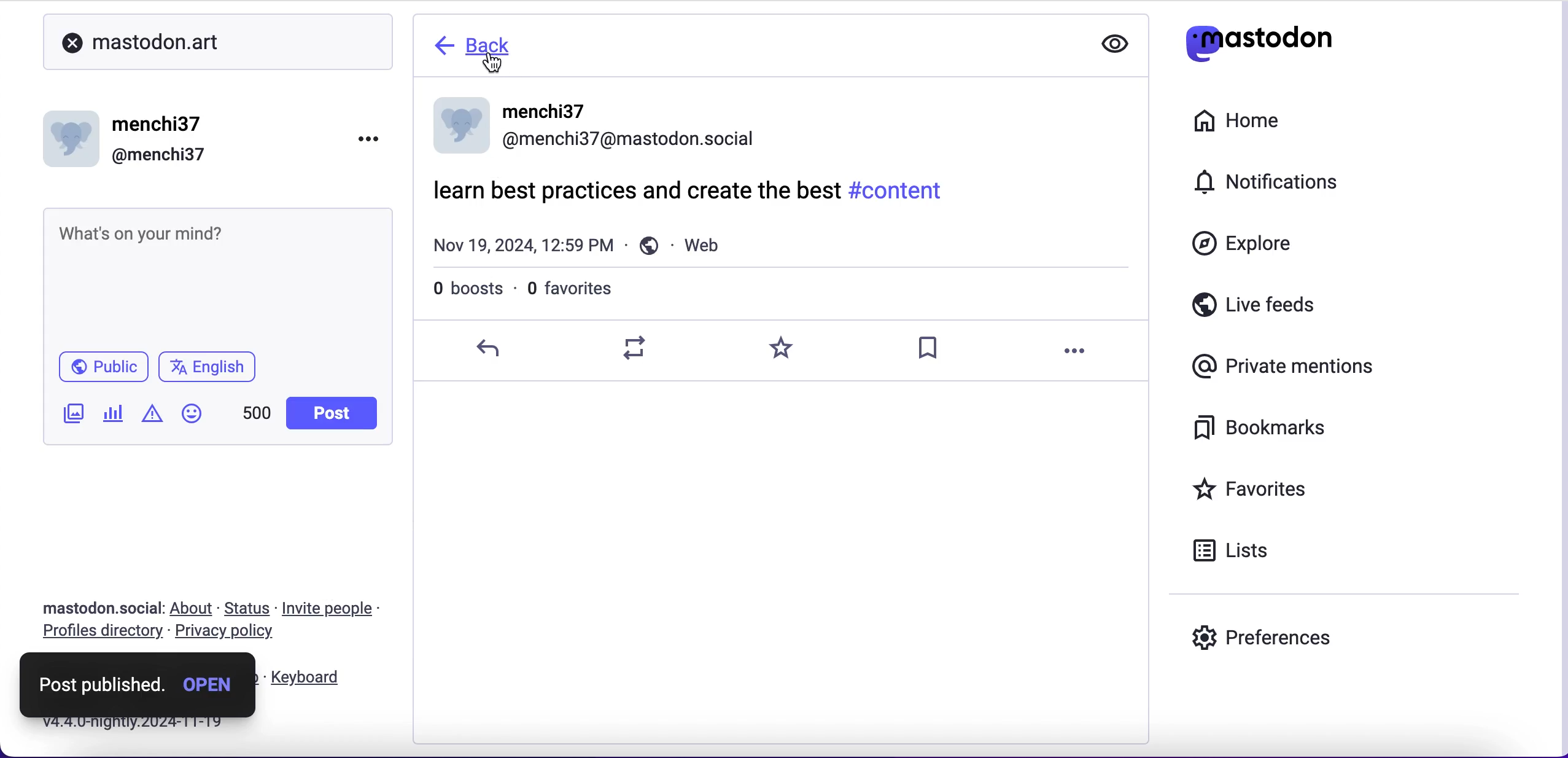 This screenshot has width=1568, height=758. I want to click on menchi37, so click(548, 112).